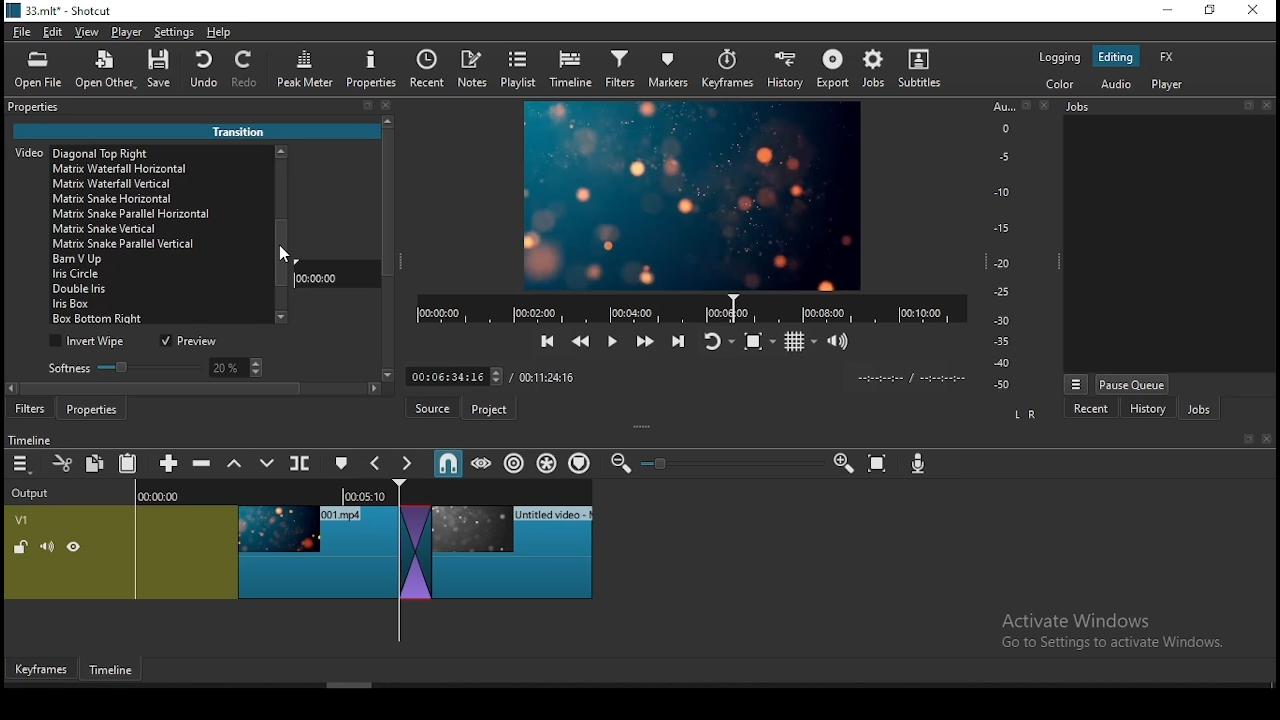 This screenshot has height=720, width=1280. I want to click on create/edit marker, so click(344, 464).